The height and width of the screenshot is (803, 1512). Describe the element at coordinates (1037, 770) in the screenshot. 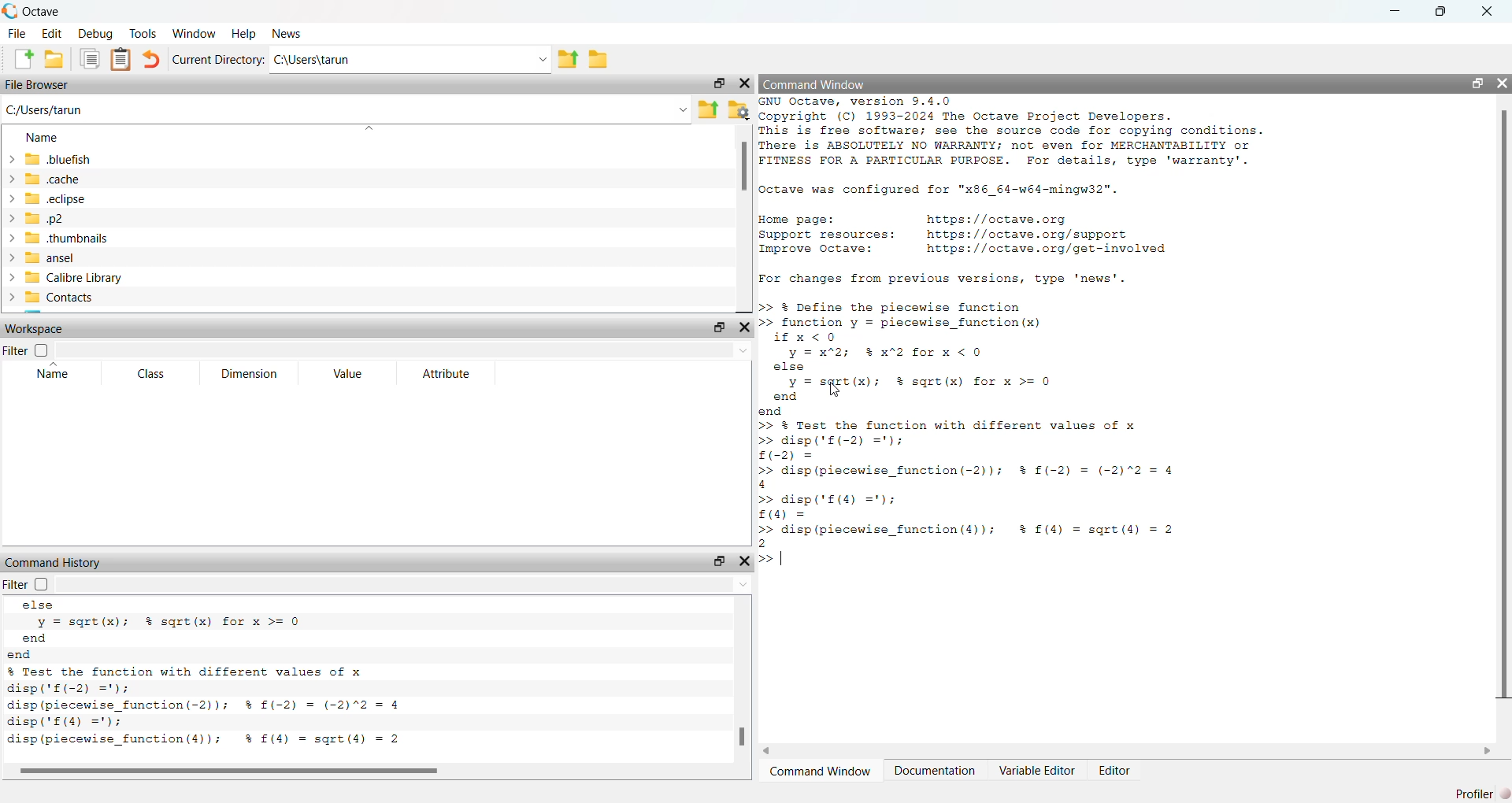

I see `Variable Editor` at that location.